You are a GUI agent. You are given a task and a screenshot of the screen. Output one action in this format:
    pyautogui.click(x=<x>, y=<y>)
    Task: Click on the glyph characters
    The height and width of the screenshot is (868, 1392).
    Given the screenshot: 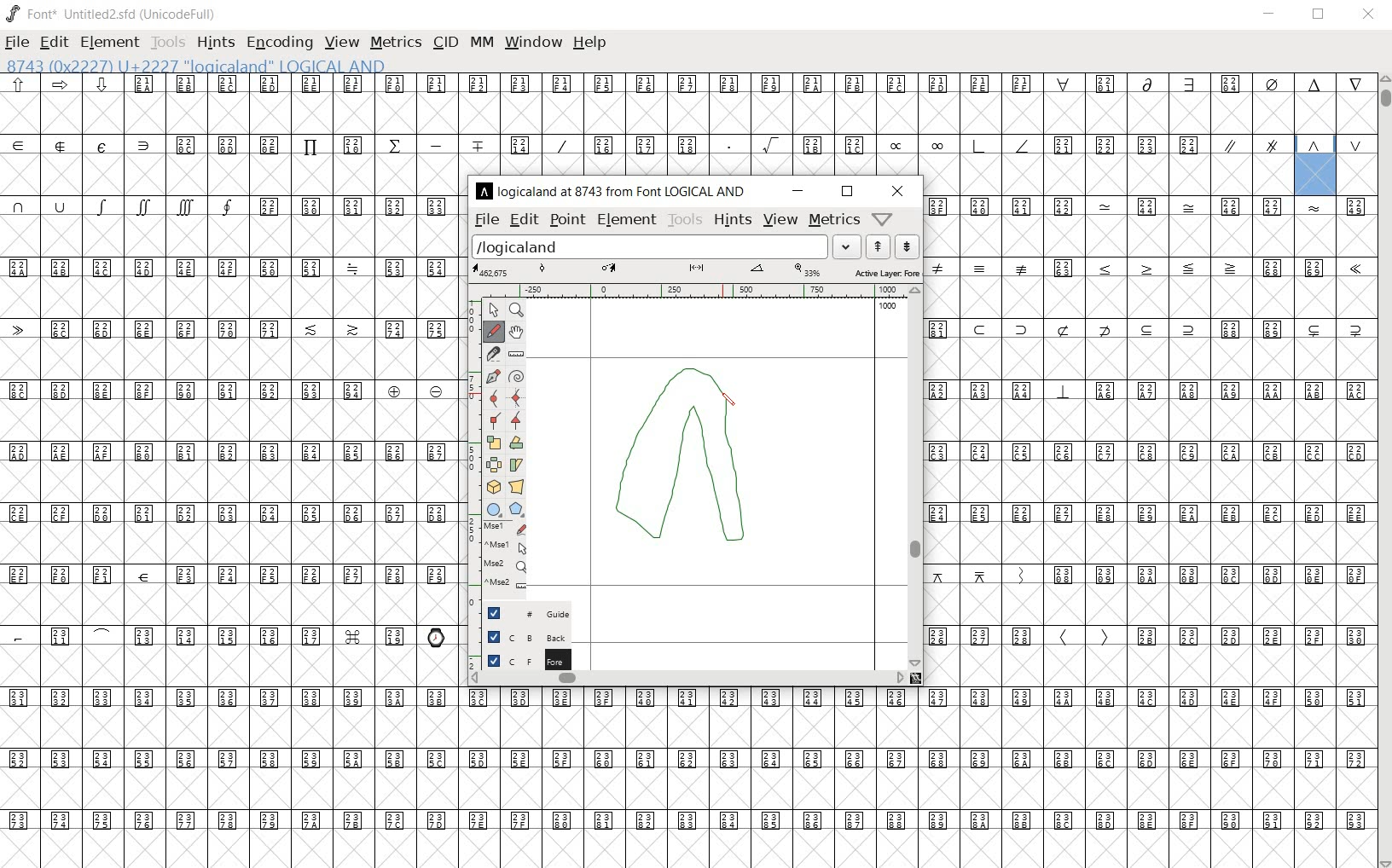 What is the action you would take?
    pyautogui.click(x=230, y=472)
    